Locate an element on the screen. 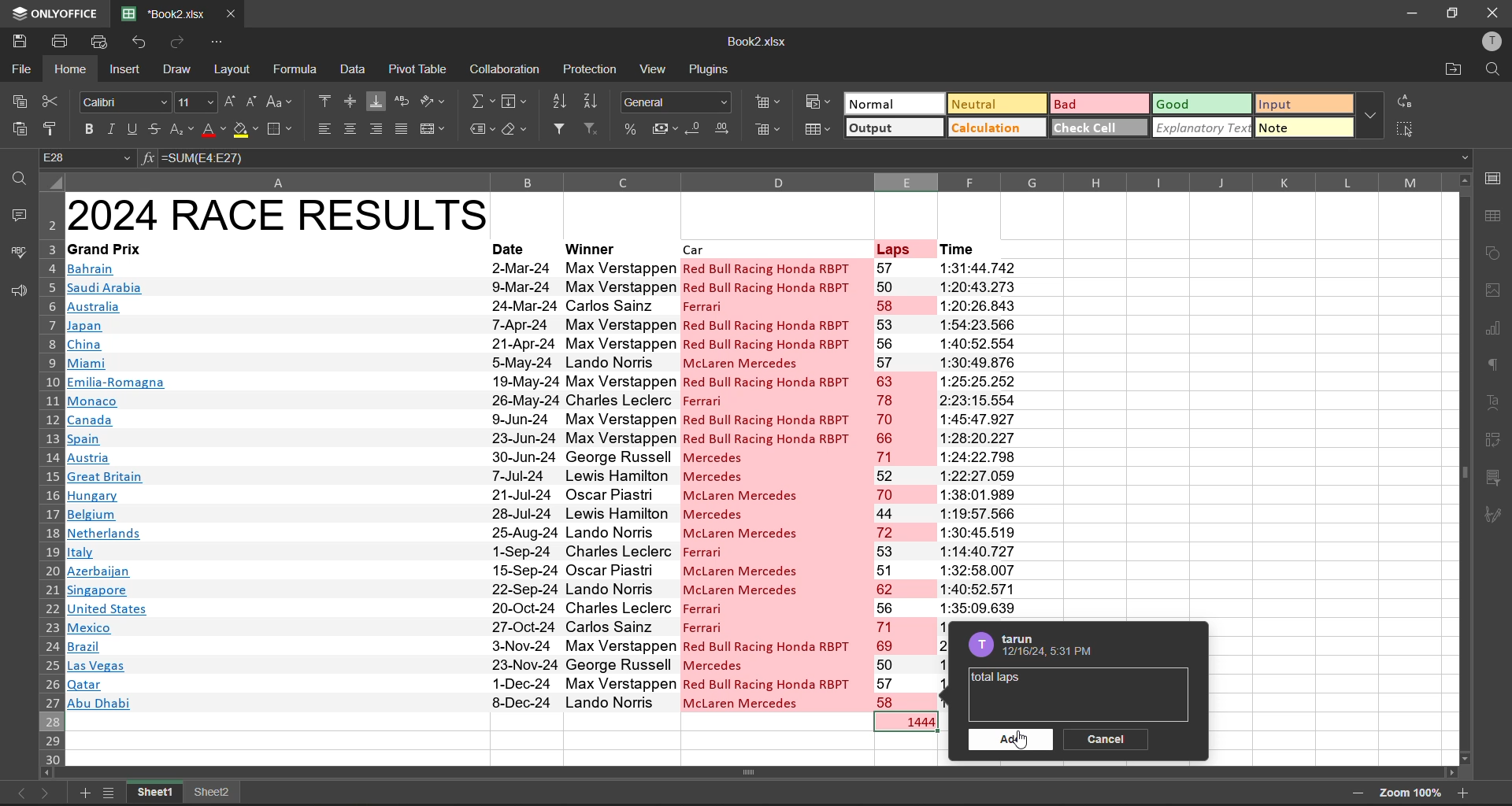 This screenshot has height=806, width=1512. images is located at coordinates (1492, 290).